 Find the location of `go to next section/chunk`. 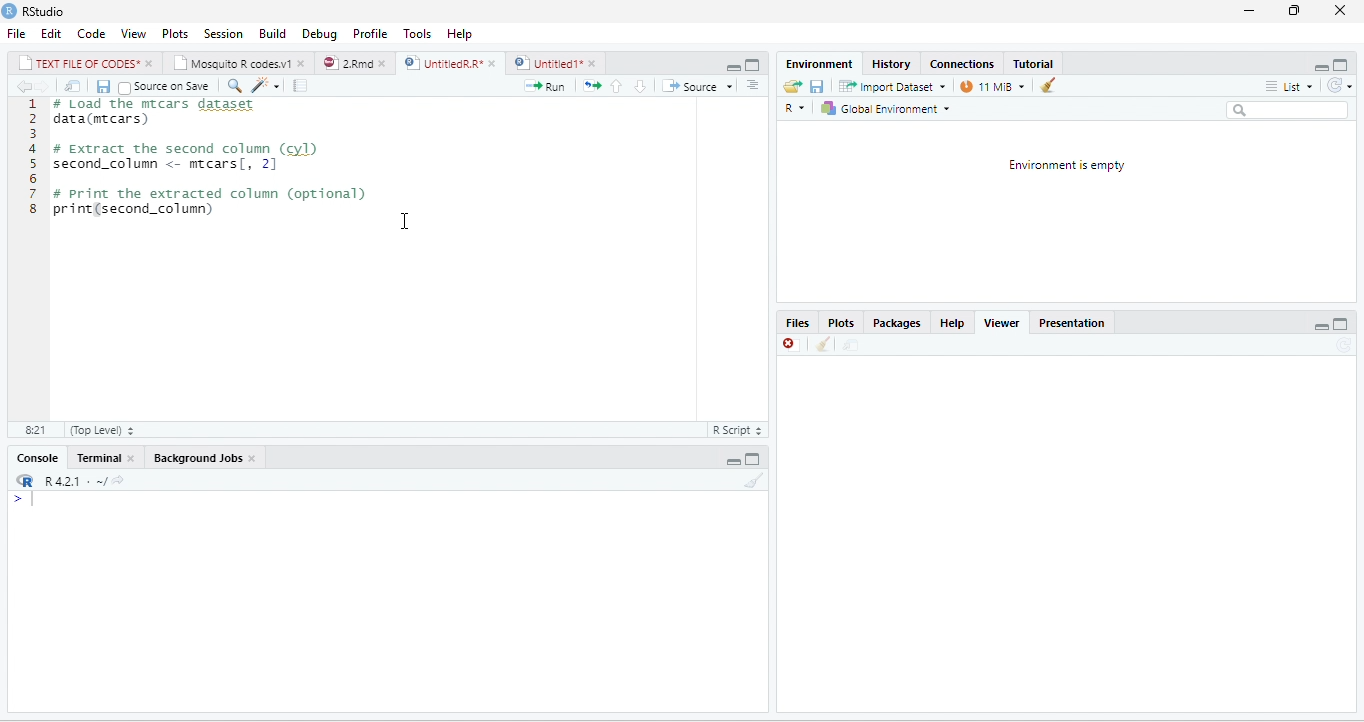

go to next section/chunk is located at coordinates (639, 85).